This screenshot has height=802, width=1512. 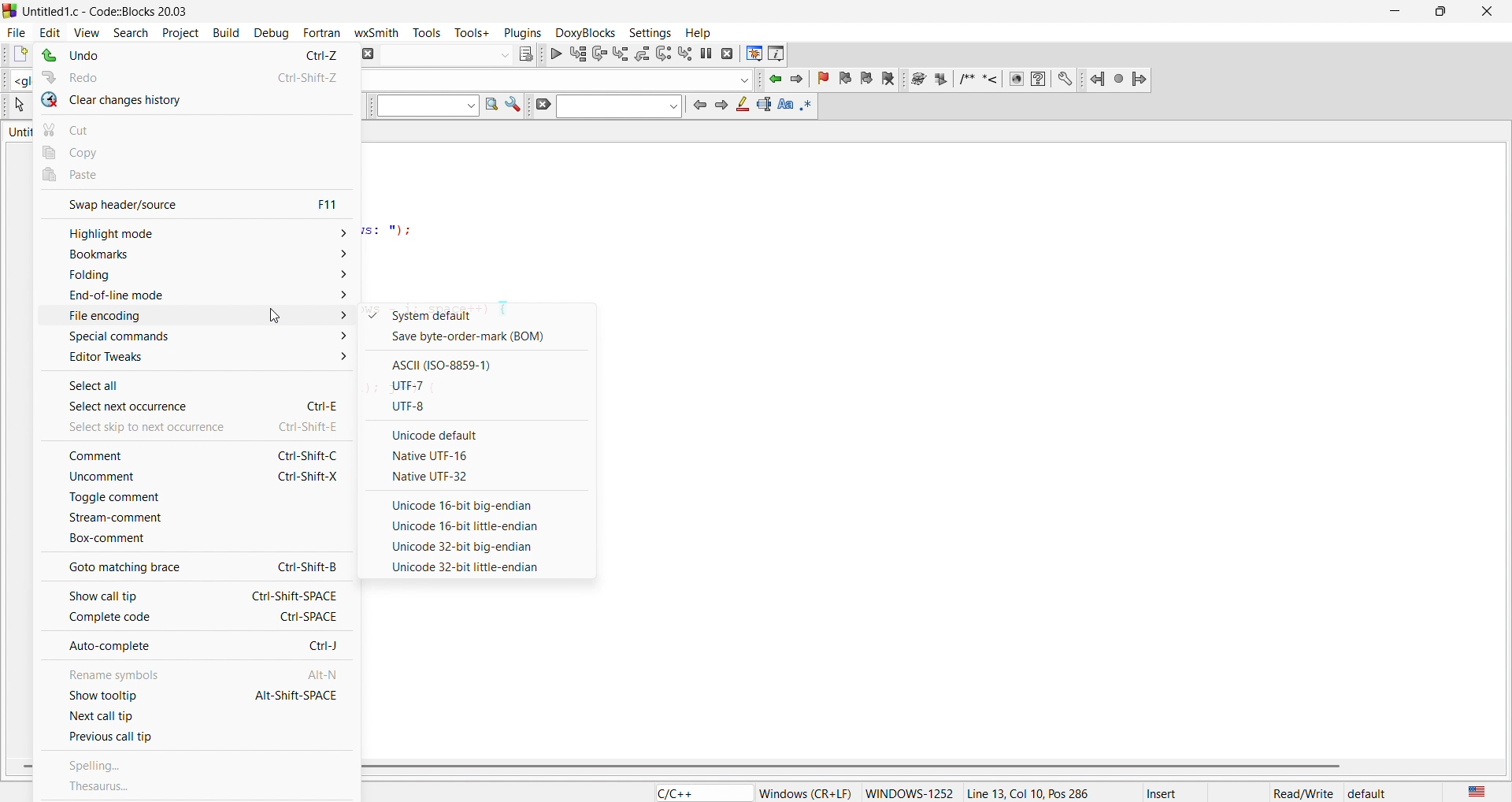 What do you see at coordinates (189, 57) in the screenshot?
I see `undo` at bounding box center [189, 57].